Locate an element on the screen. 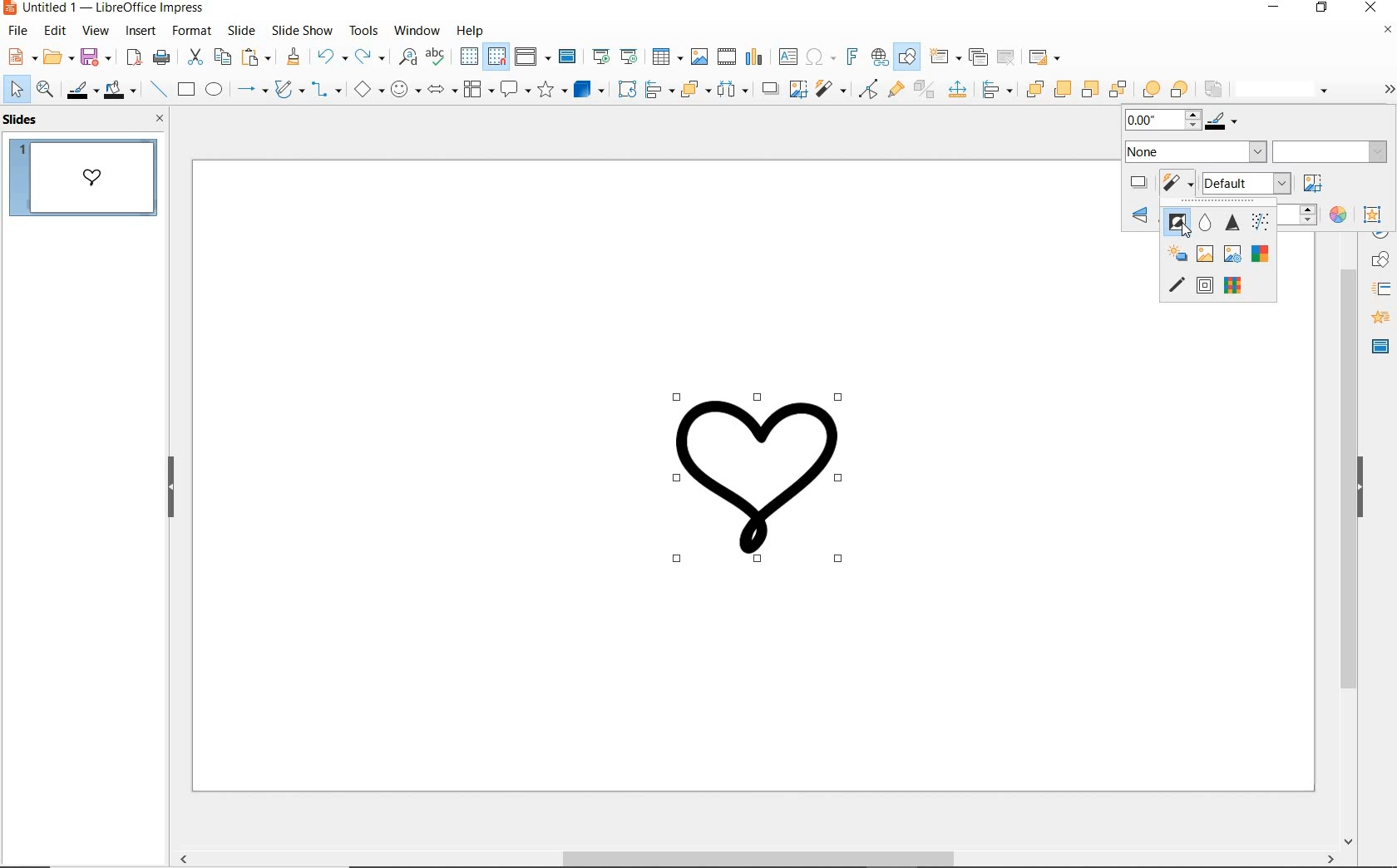 This screenshot has width=1397, height=868. duplicate slide is located at coordinates (976, 57).